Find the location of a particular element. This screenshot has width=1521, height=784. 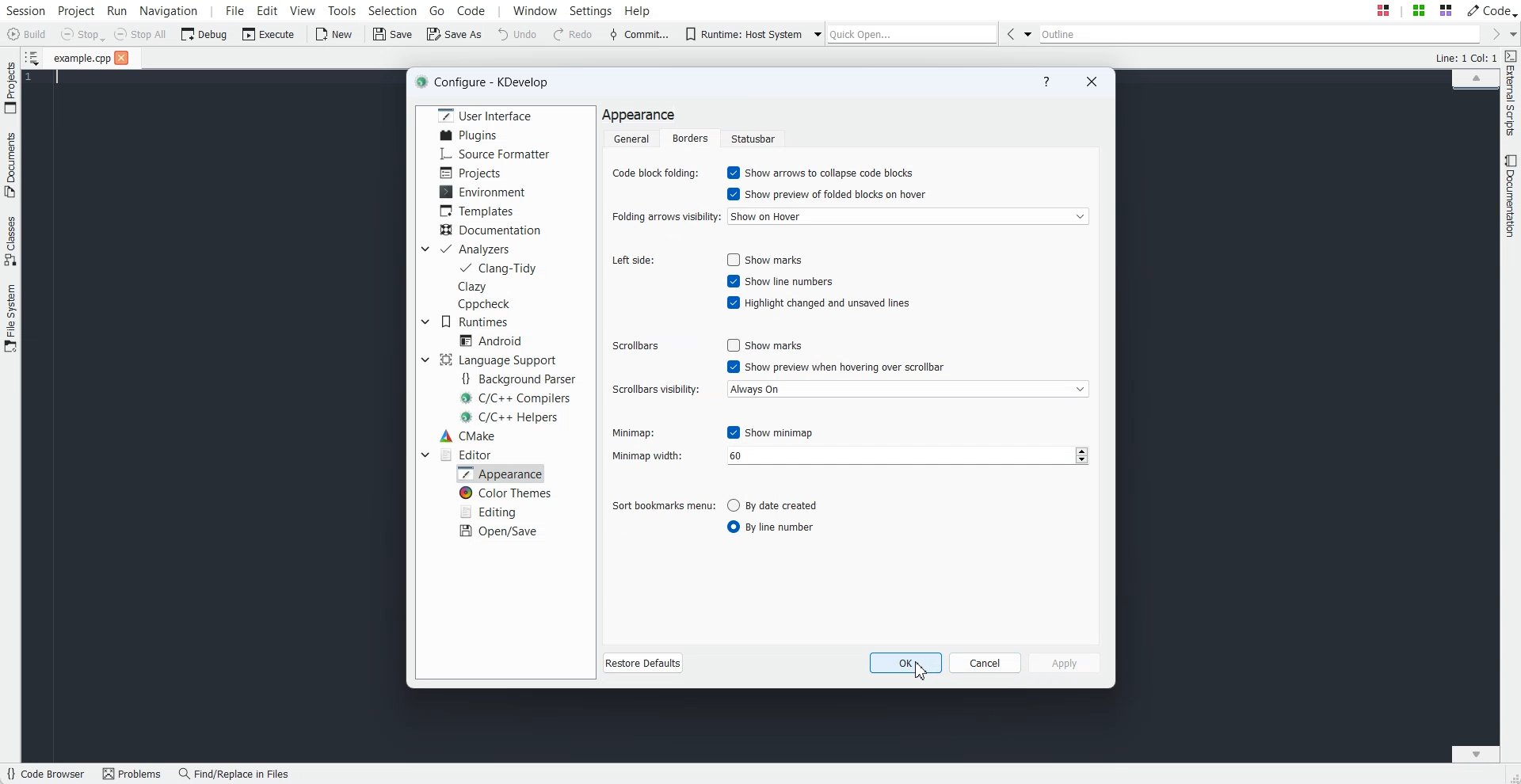

C/C++ Helpers is located at coordinates (511, 417).